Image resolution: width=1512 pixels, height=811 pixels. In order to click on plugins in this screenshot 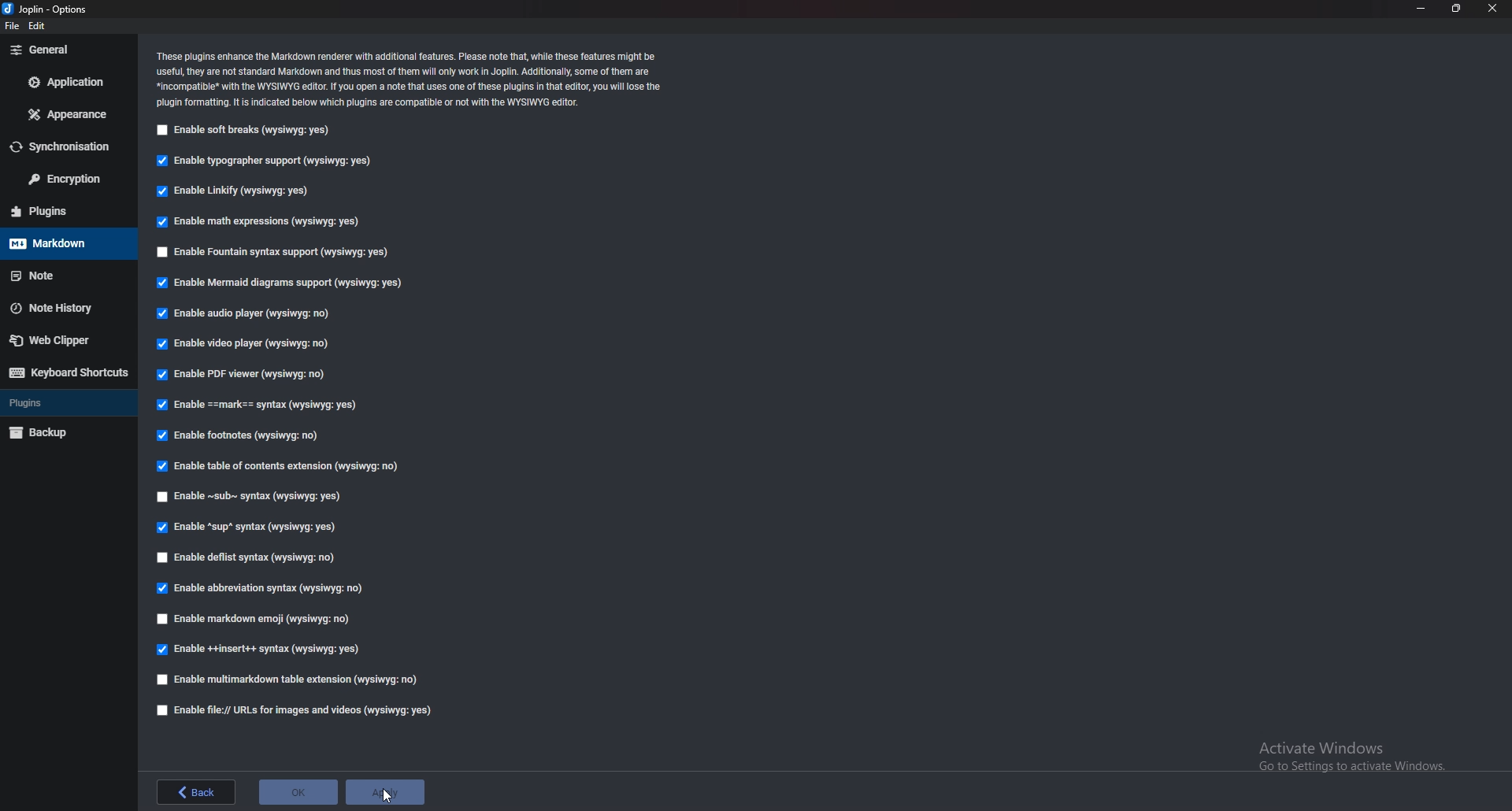, I will do `click(67, 211)`.